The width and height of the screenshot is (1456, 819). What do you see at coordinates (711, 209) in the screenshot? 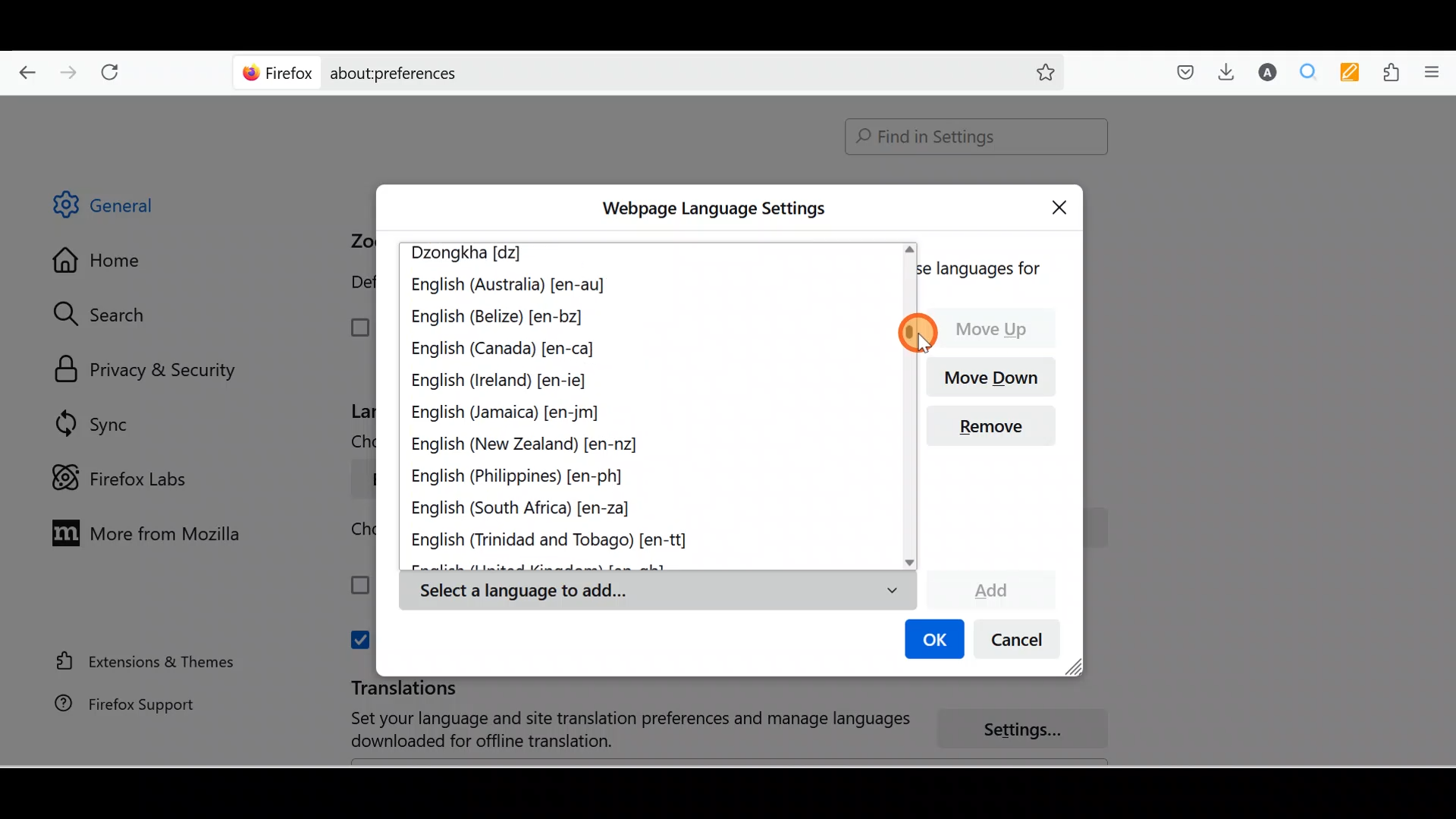
I see `Webpage Language settings` at bounding box center [711, 209].